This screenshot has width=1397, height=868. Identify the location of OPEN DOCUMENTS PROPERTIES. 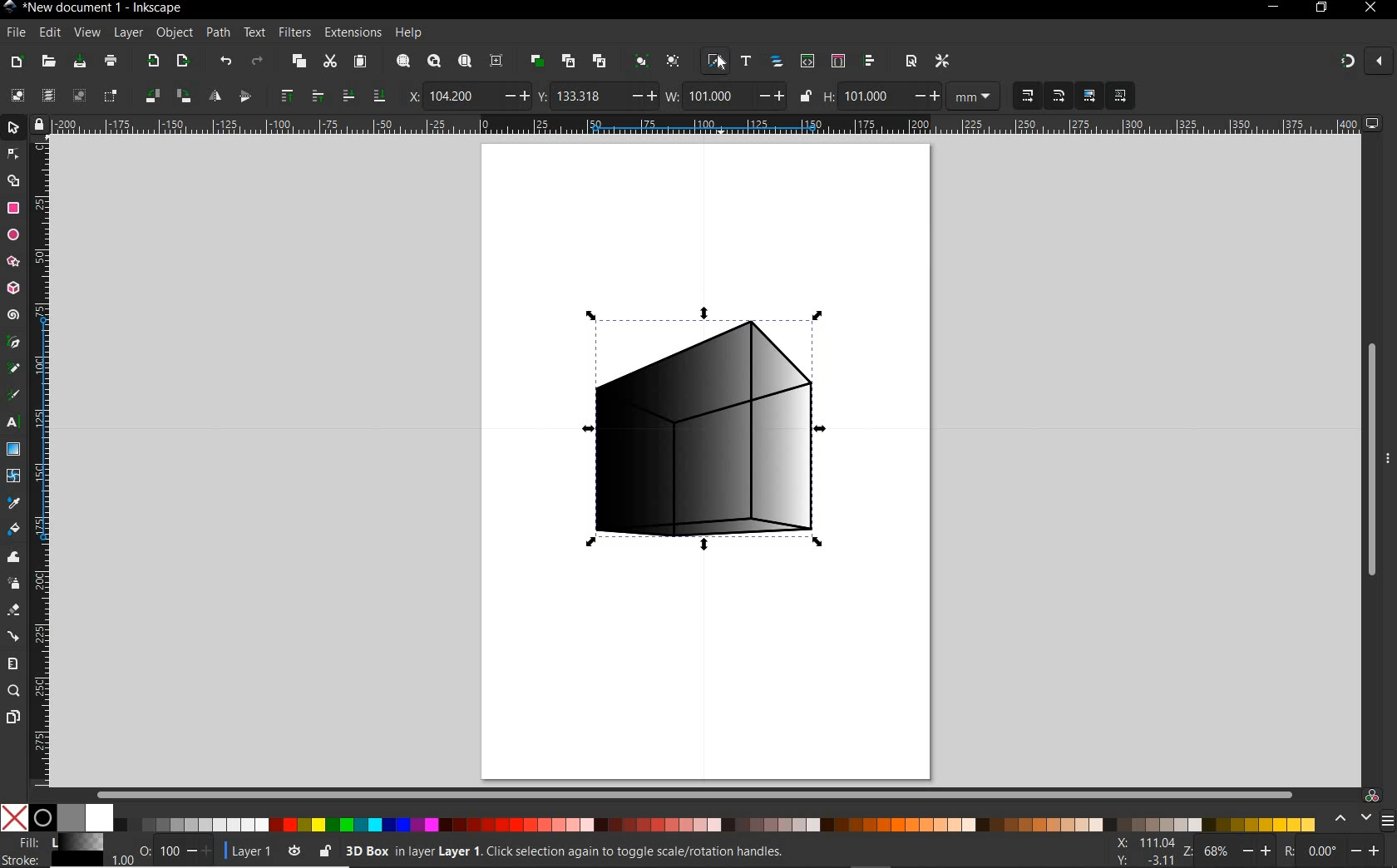
(911, 62).